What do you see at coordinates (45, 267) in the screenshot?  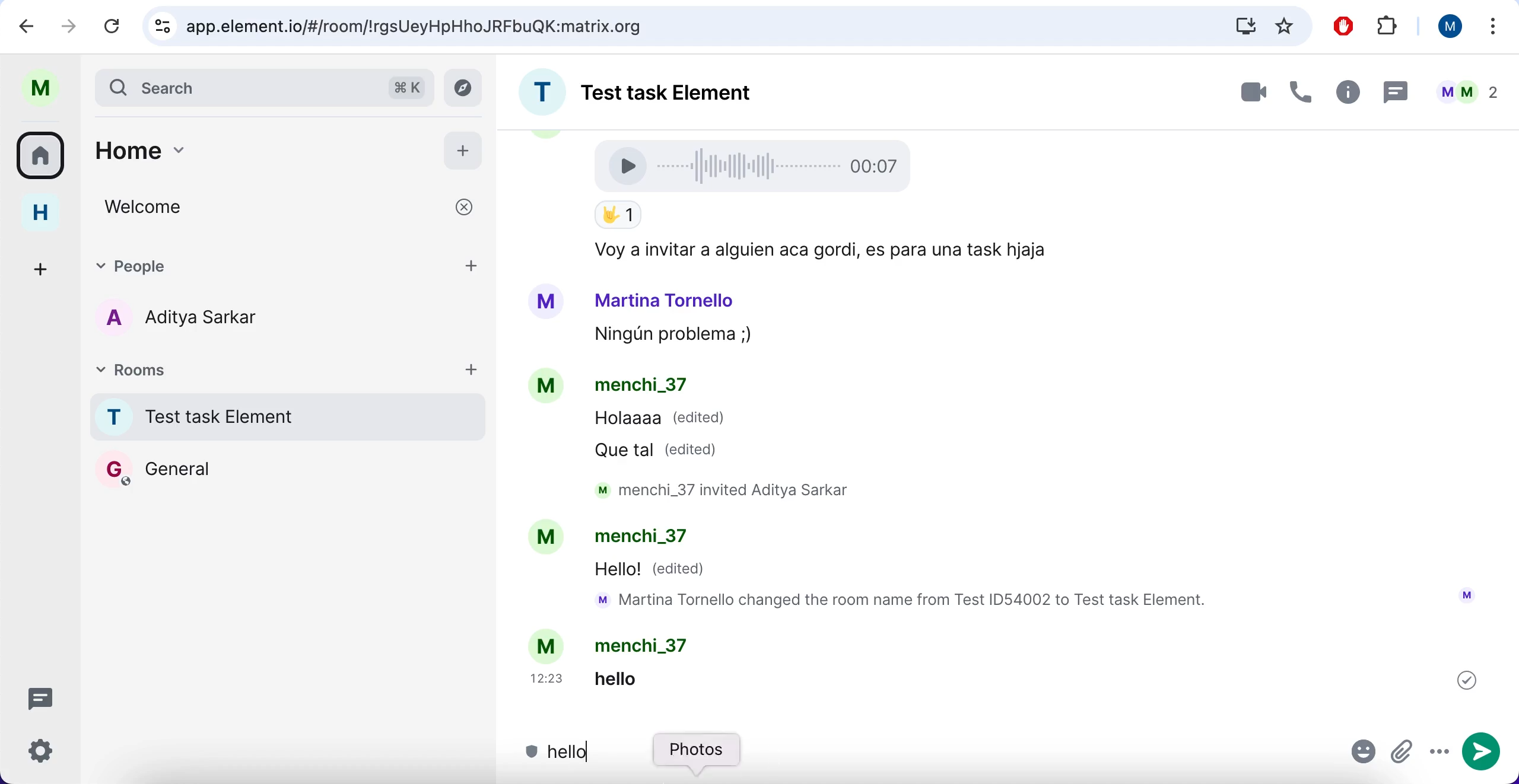 I see `create a space` at bounding box center [45, 267].